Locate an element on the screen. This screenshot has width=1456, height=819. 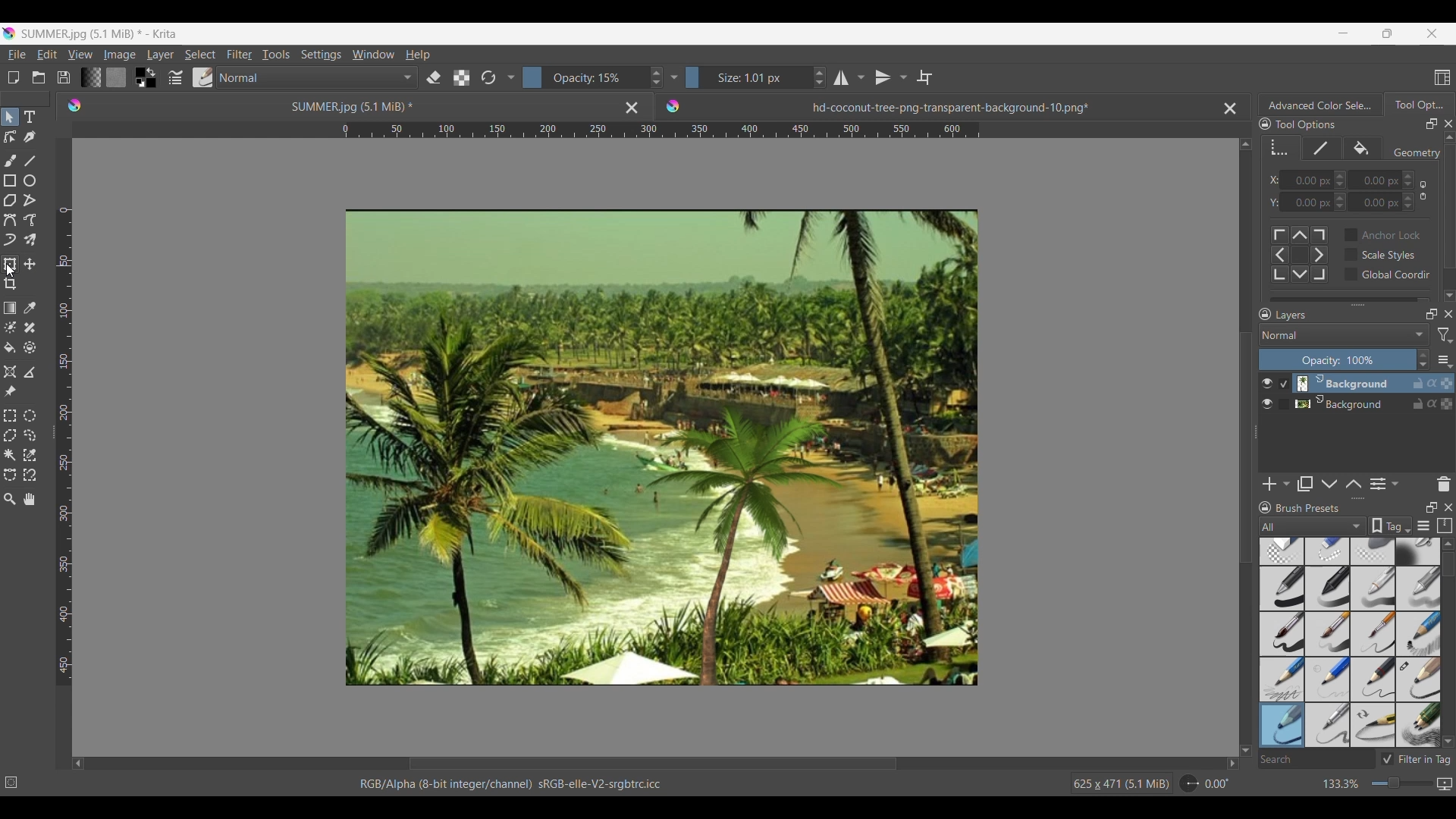
SUMMERjpg (5.1 MiB)* is located at coordinates (330, 105).